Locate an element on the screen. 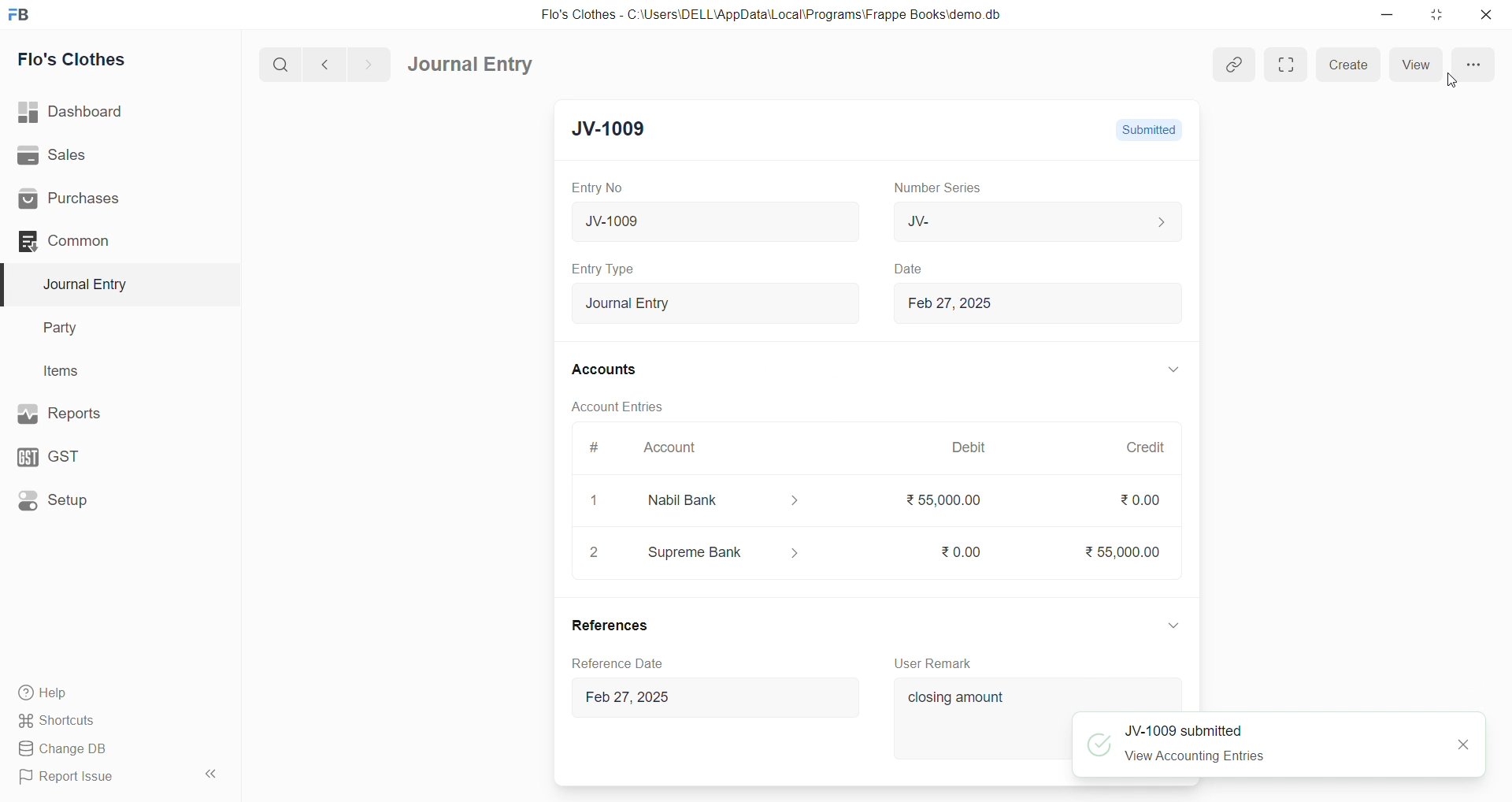 This screenshot has width=1512, height=802. Entry No is located at coordinates (597, 188).